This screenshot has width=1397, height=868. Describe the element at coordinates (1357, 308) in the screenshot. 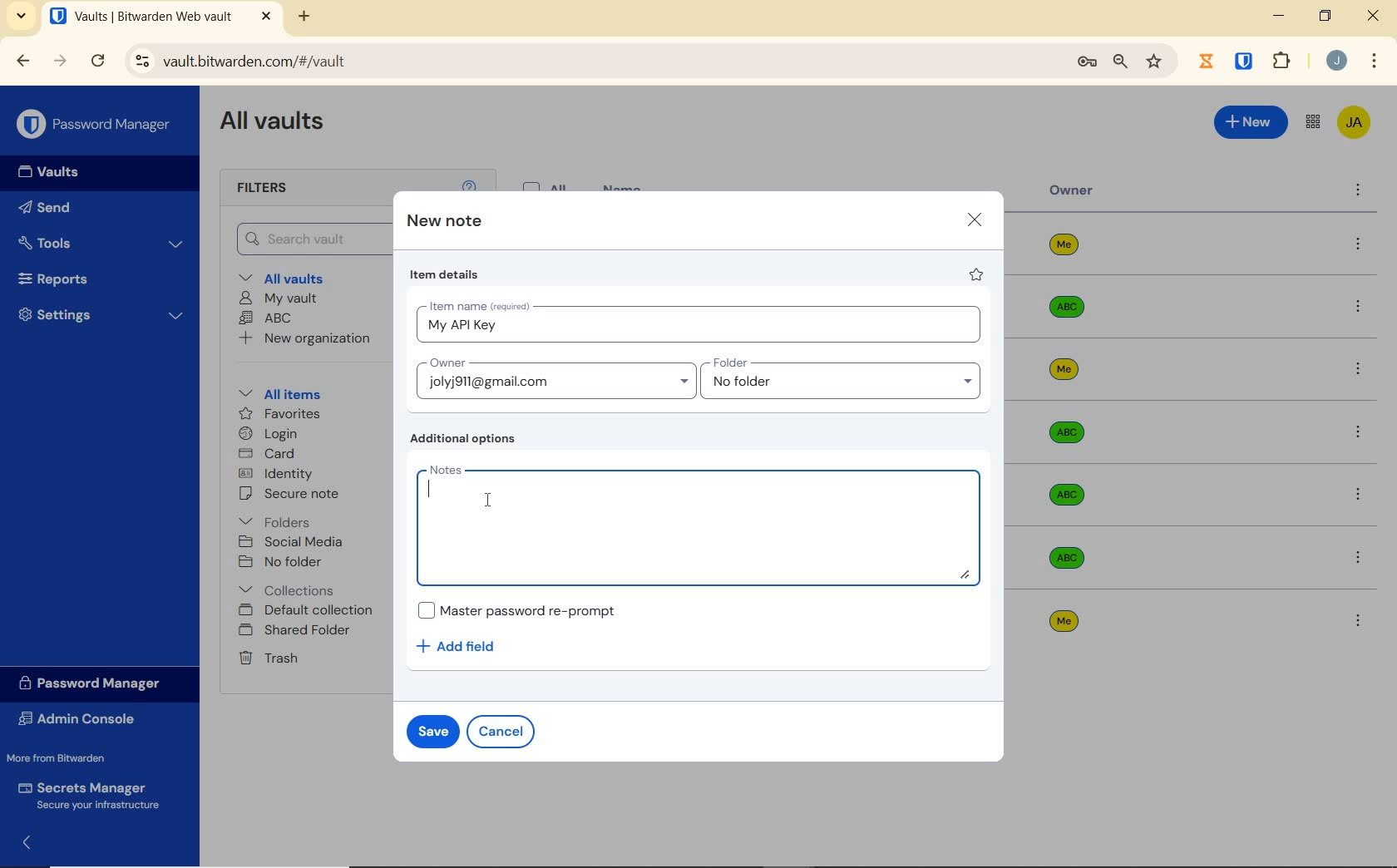

I see `more options` at that location.